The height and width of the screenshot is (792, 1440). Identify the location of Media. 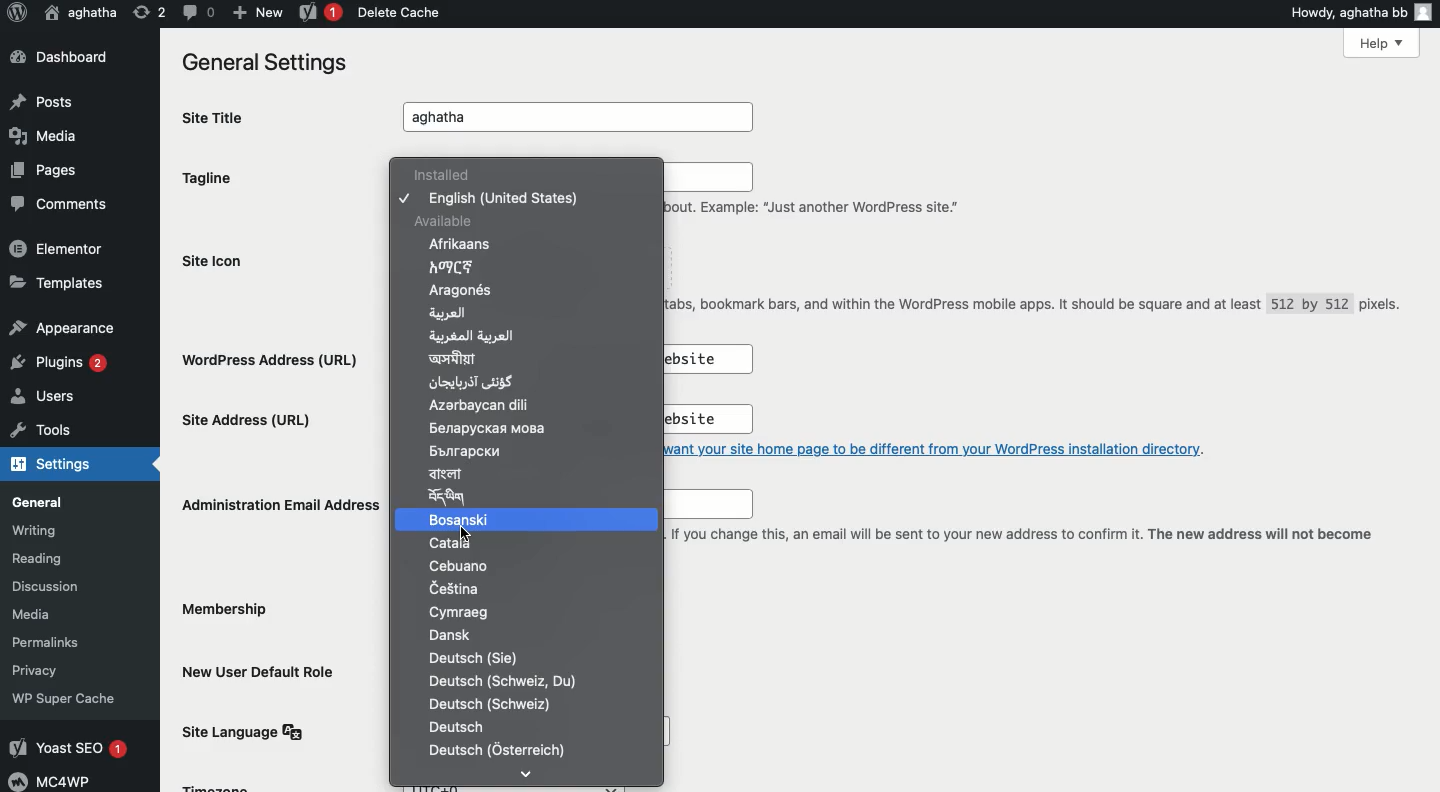
(49, 614).